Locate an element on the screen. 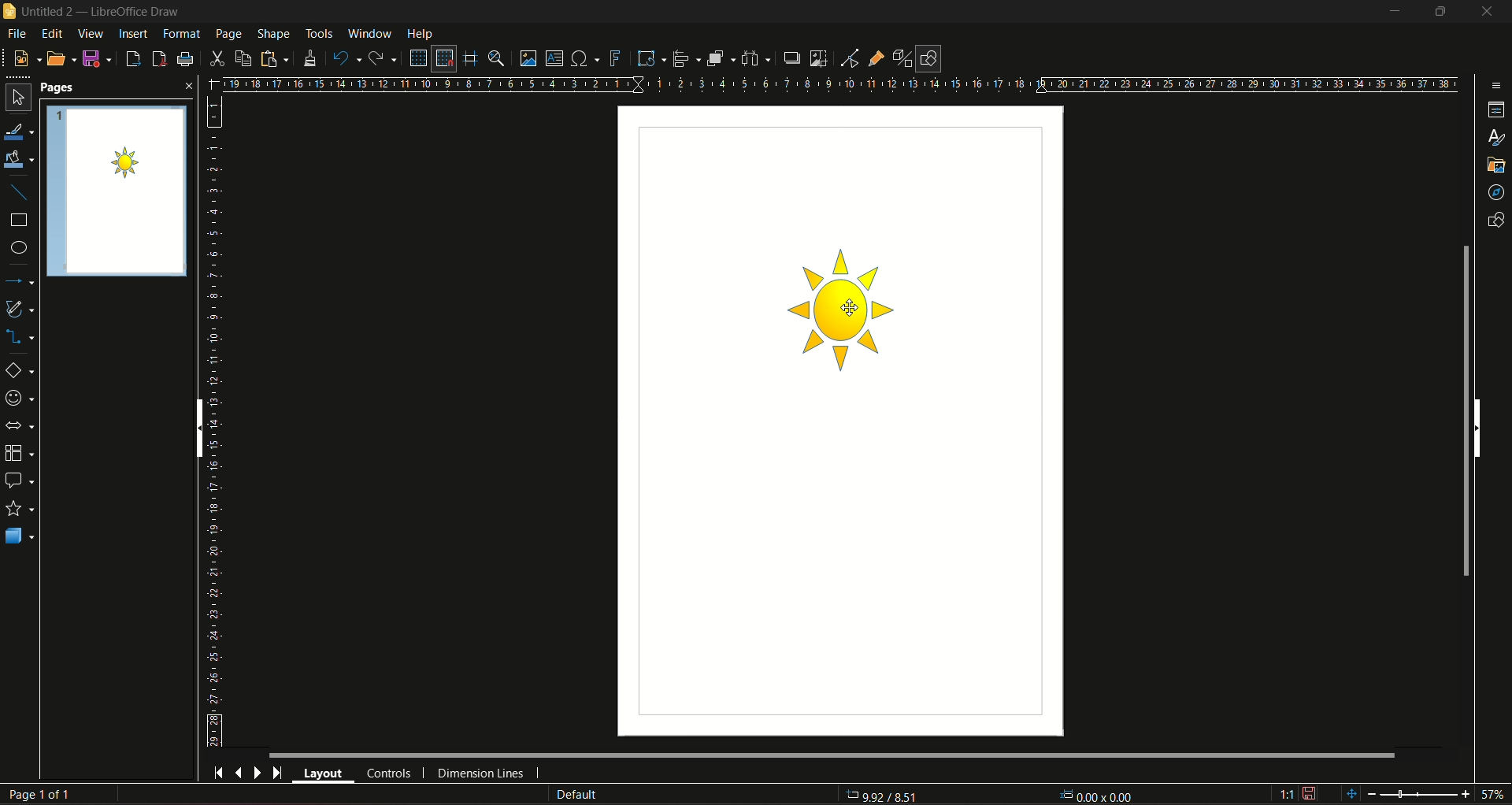 This screenshot has width=1512, height=805. size is located at coordinates (1095, 796).